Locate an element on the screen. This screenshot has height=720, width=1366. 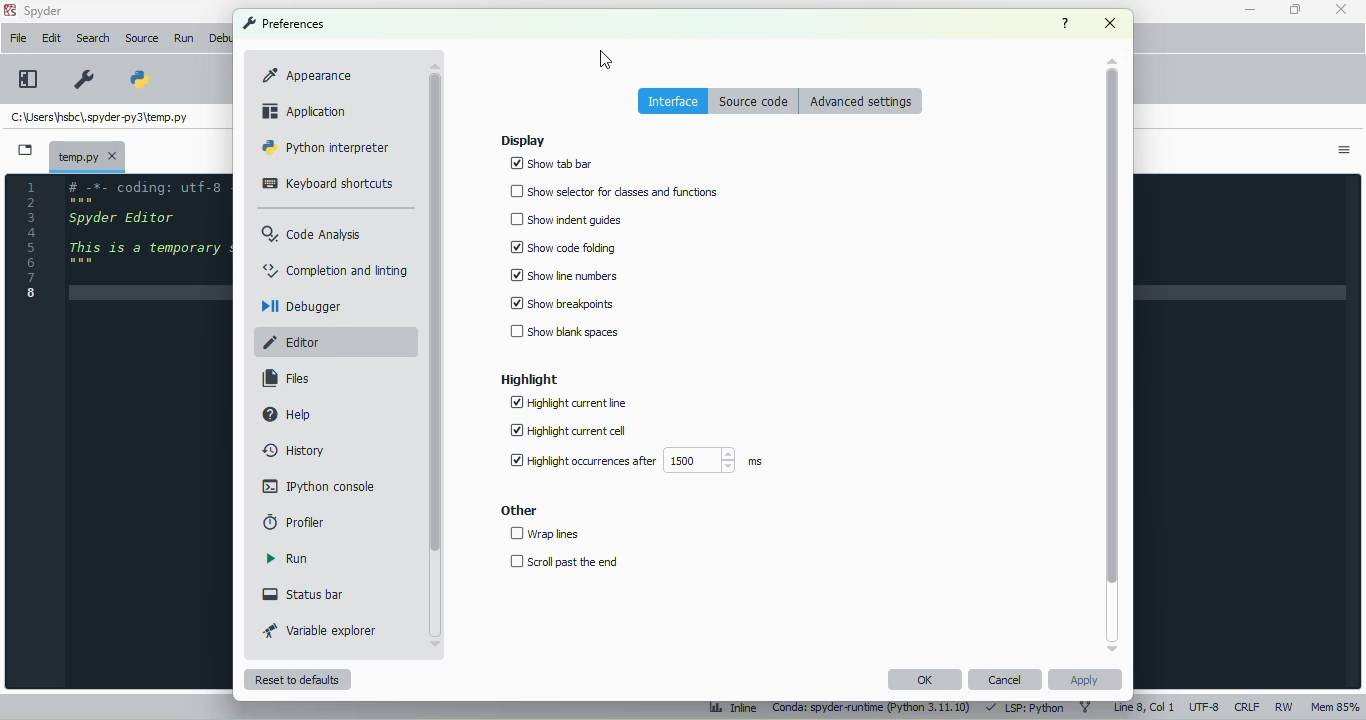
show breakpoints is located at coordinates (562, 303).